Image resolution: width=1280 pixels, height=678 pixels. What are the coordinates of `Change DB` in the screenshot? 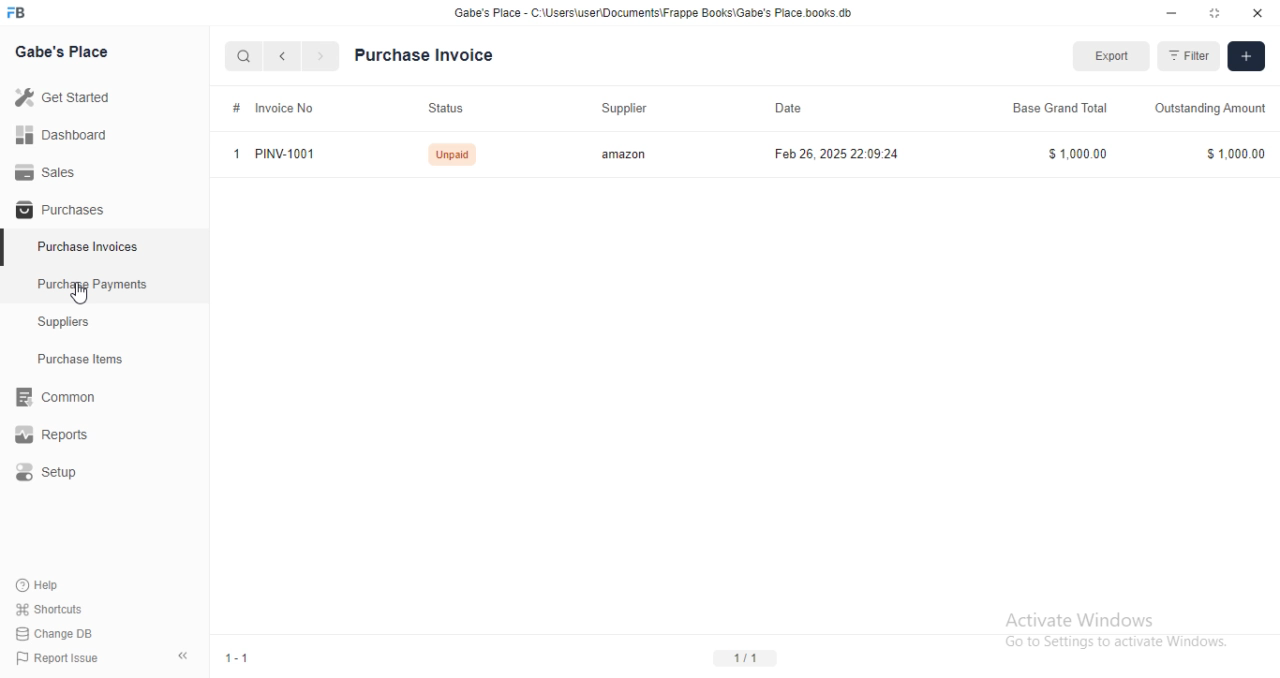 It's located at (52, 632).